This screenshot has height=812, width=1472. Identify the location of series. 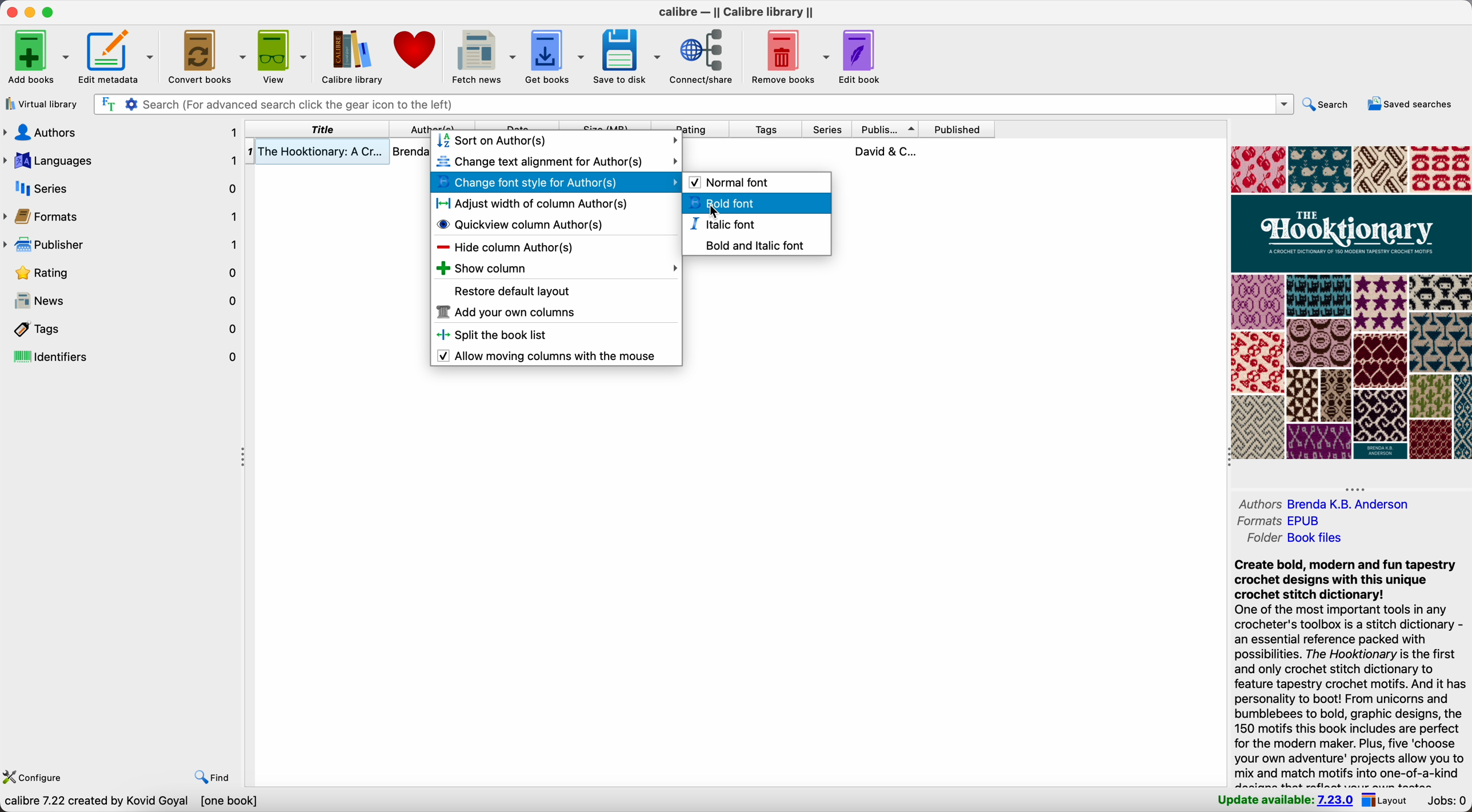
(827, 130).